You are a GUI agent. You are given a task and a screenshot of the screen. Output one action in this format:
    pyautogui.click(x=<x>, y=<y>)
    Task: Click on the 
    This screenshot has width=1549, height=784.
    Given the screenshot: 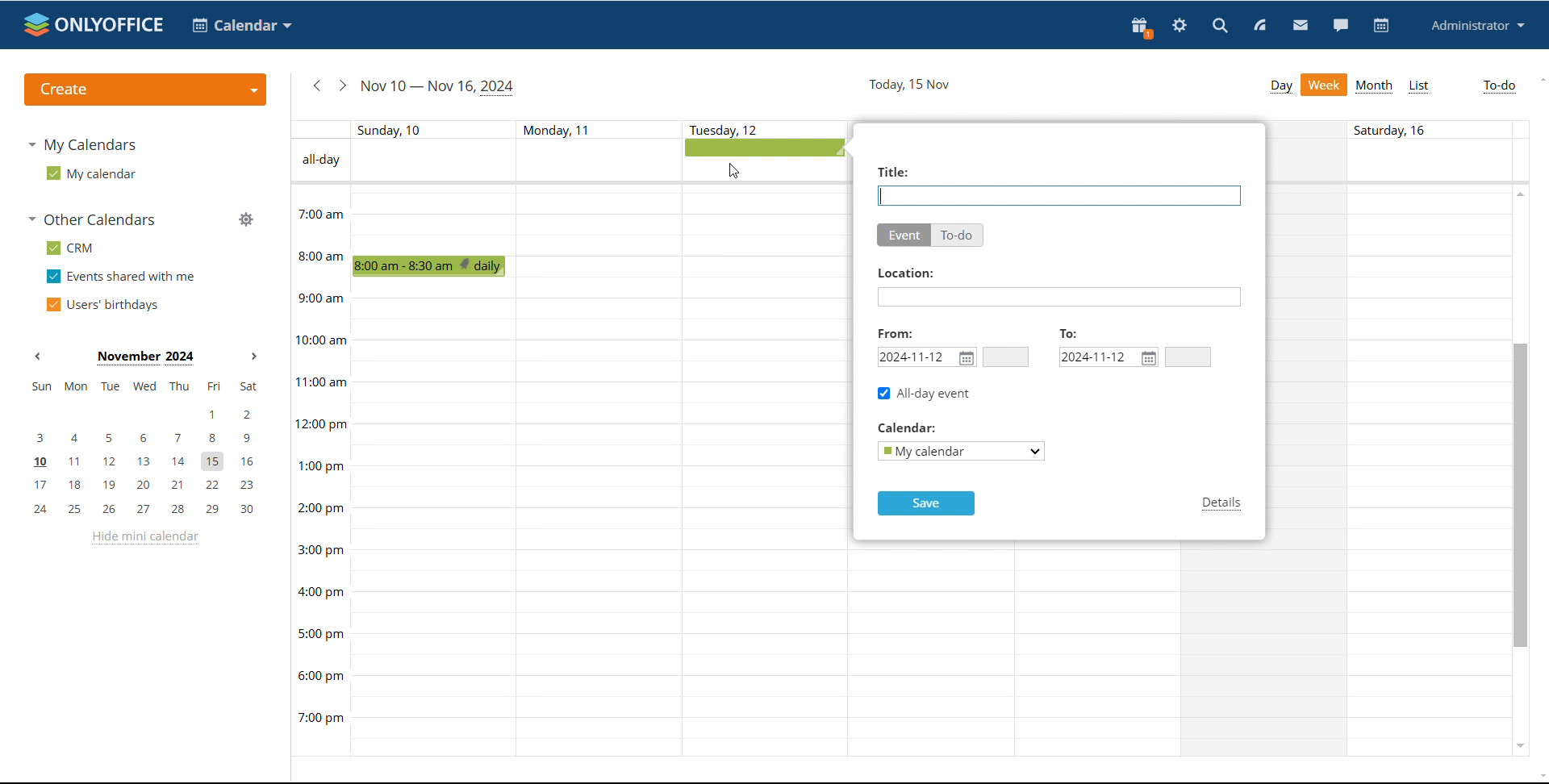 What is the action you would take?
    pyautogui.click(x=908, y=332)
    